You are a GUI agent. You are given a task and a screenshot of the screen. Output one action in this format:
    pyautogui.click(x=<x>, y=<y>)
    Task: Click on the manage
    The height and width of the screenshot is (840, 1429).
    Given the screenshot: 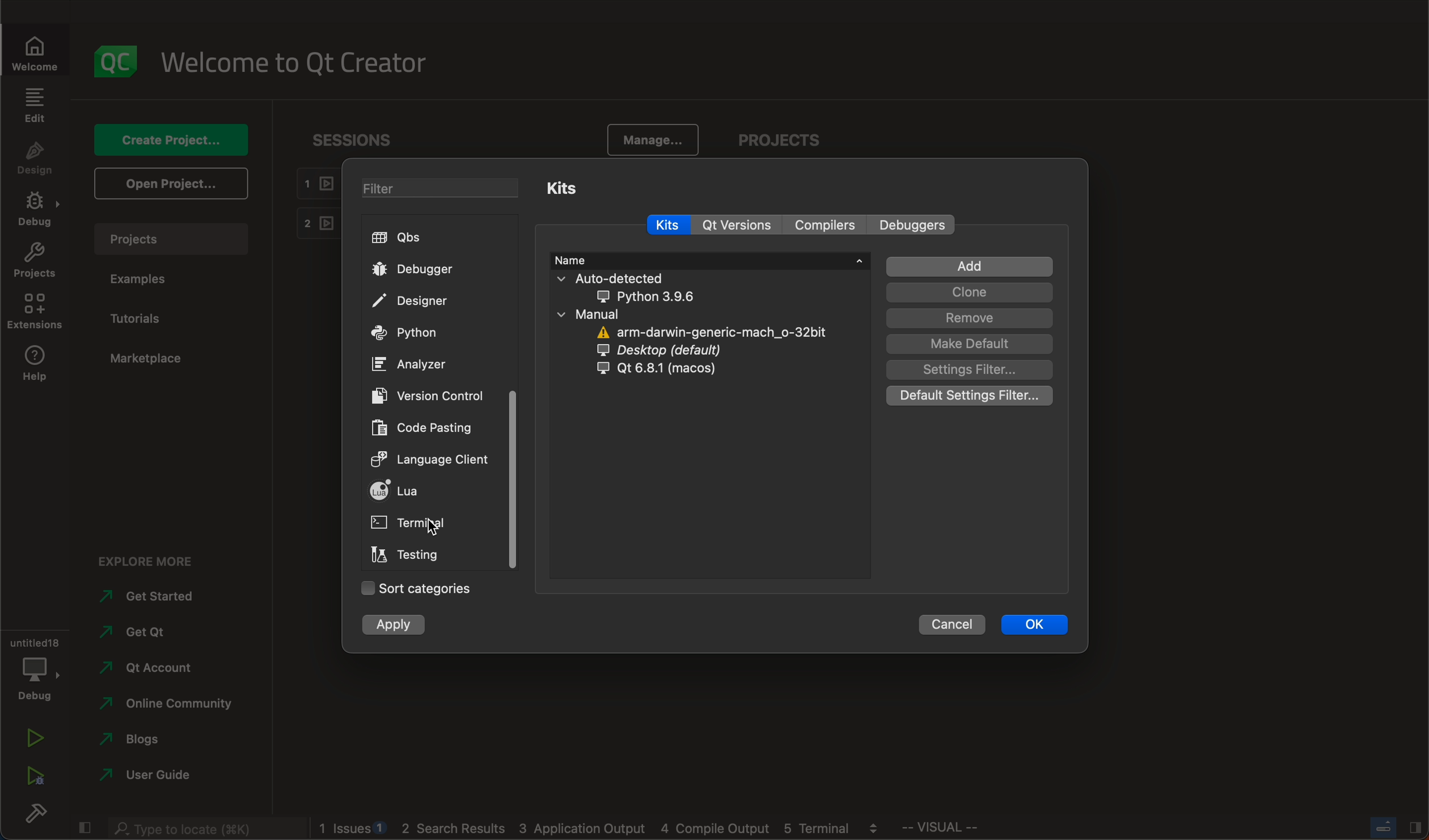 What is the action you would take?
    pyautogui.click(x=653, y=137)
    